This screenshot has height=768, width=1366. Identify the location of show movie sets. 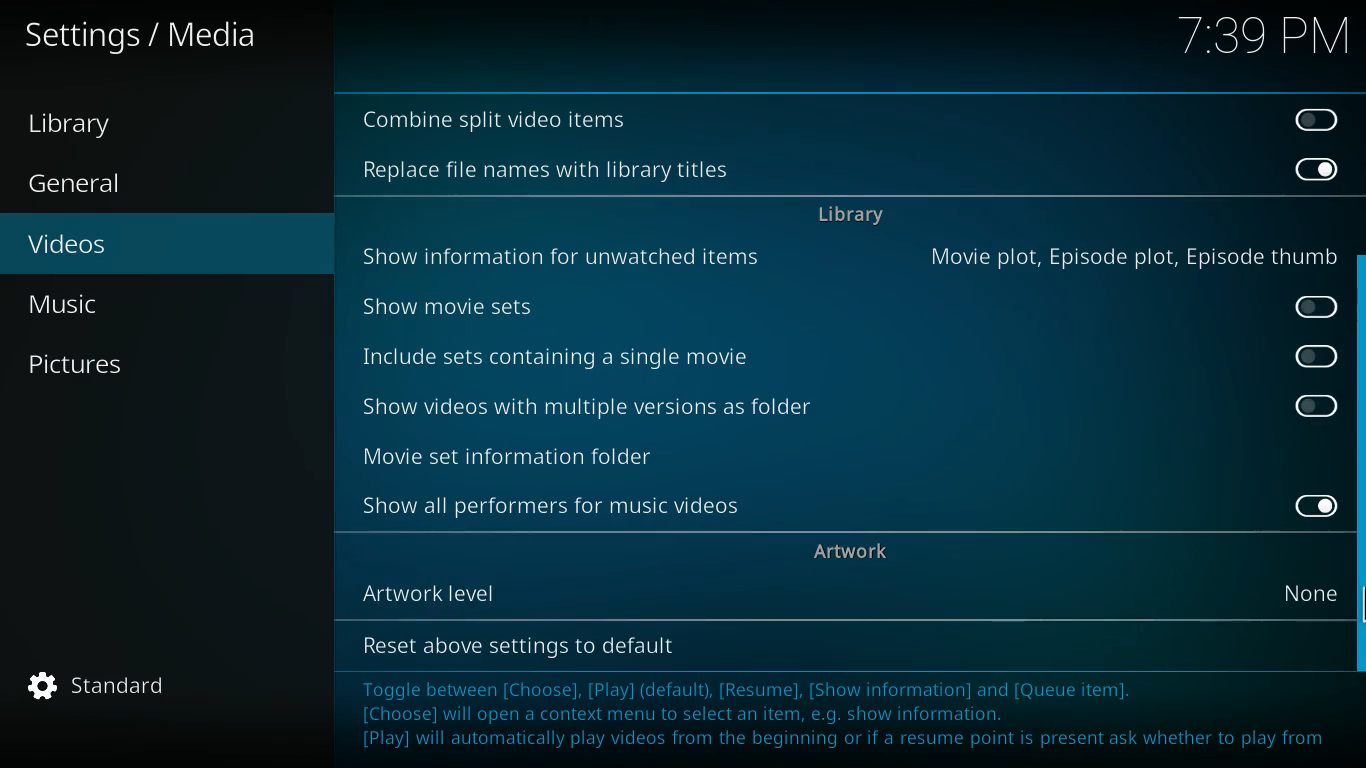
(502, 303).